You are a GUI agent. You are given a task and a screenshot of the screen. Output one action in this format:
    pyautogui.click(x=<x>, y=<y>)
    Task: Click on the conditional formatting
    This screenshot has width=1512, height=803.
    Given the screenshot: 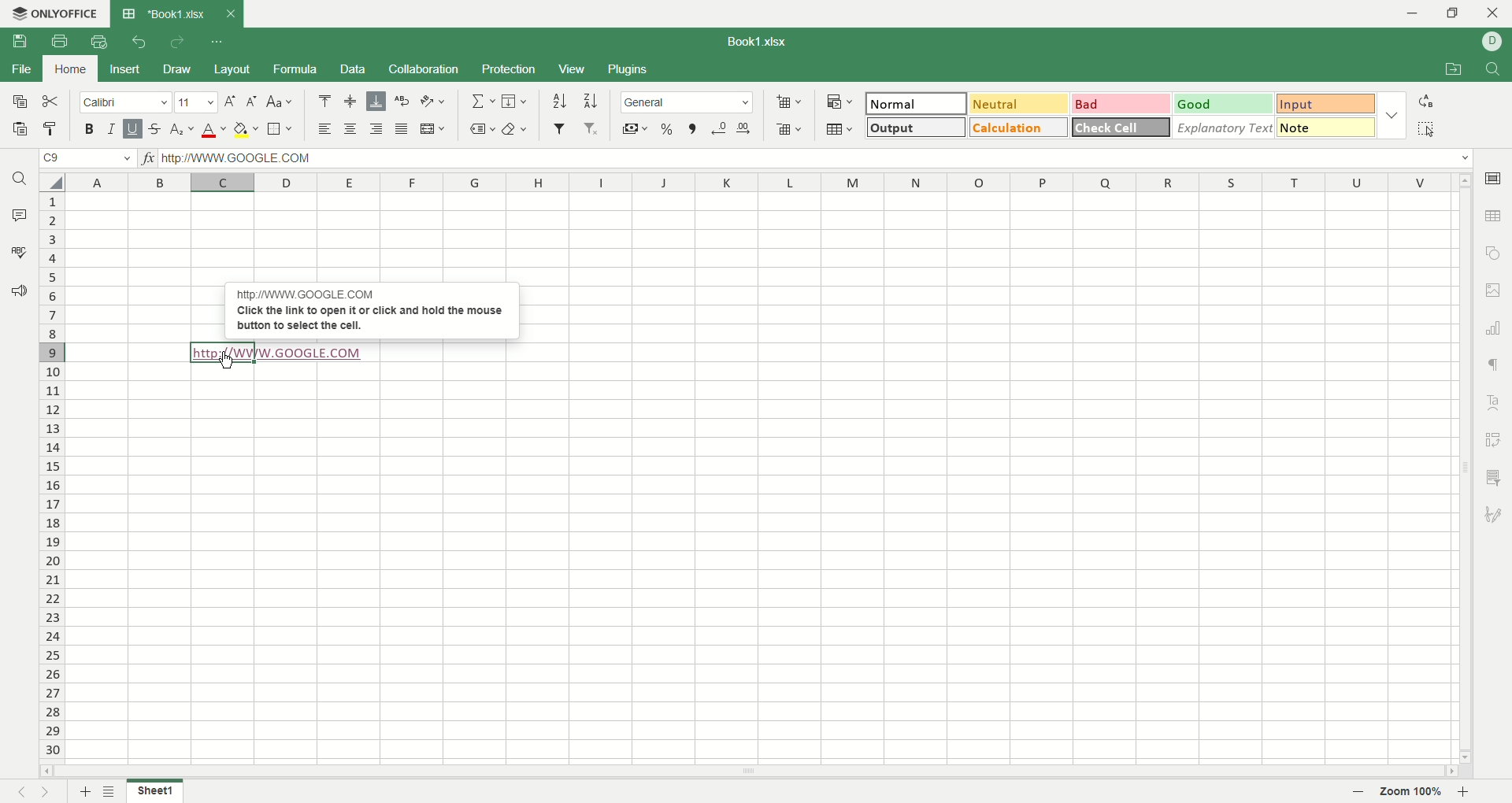 What is the action you would take?
    pyautogui.click(x=840, y=101)
    